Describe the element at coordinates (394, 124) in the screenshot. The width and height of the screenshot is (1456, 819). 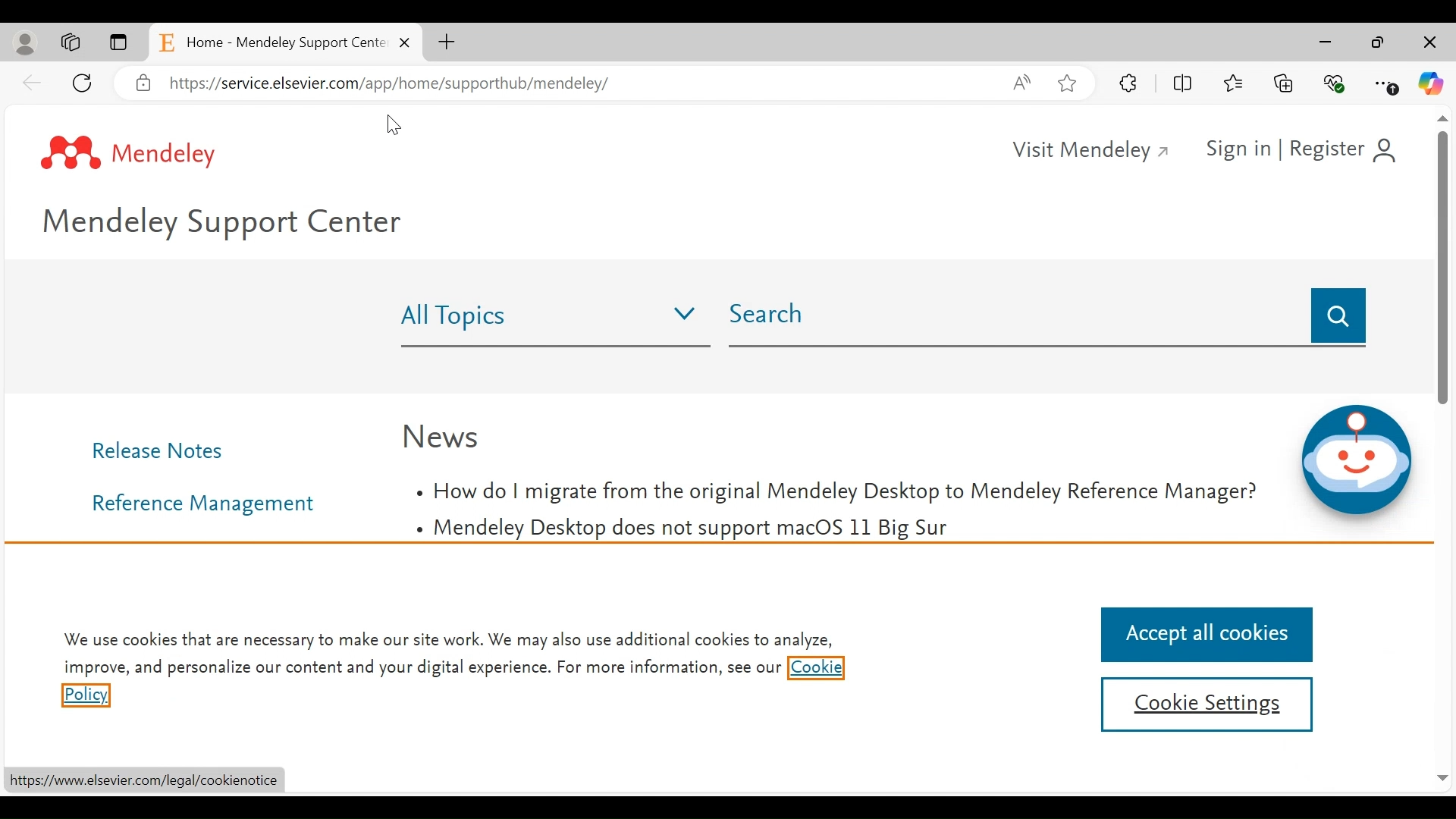
I see `Cursor` at that location.